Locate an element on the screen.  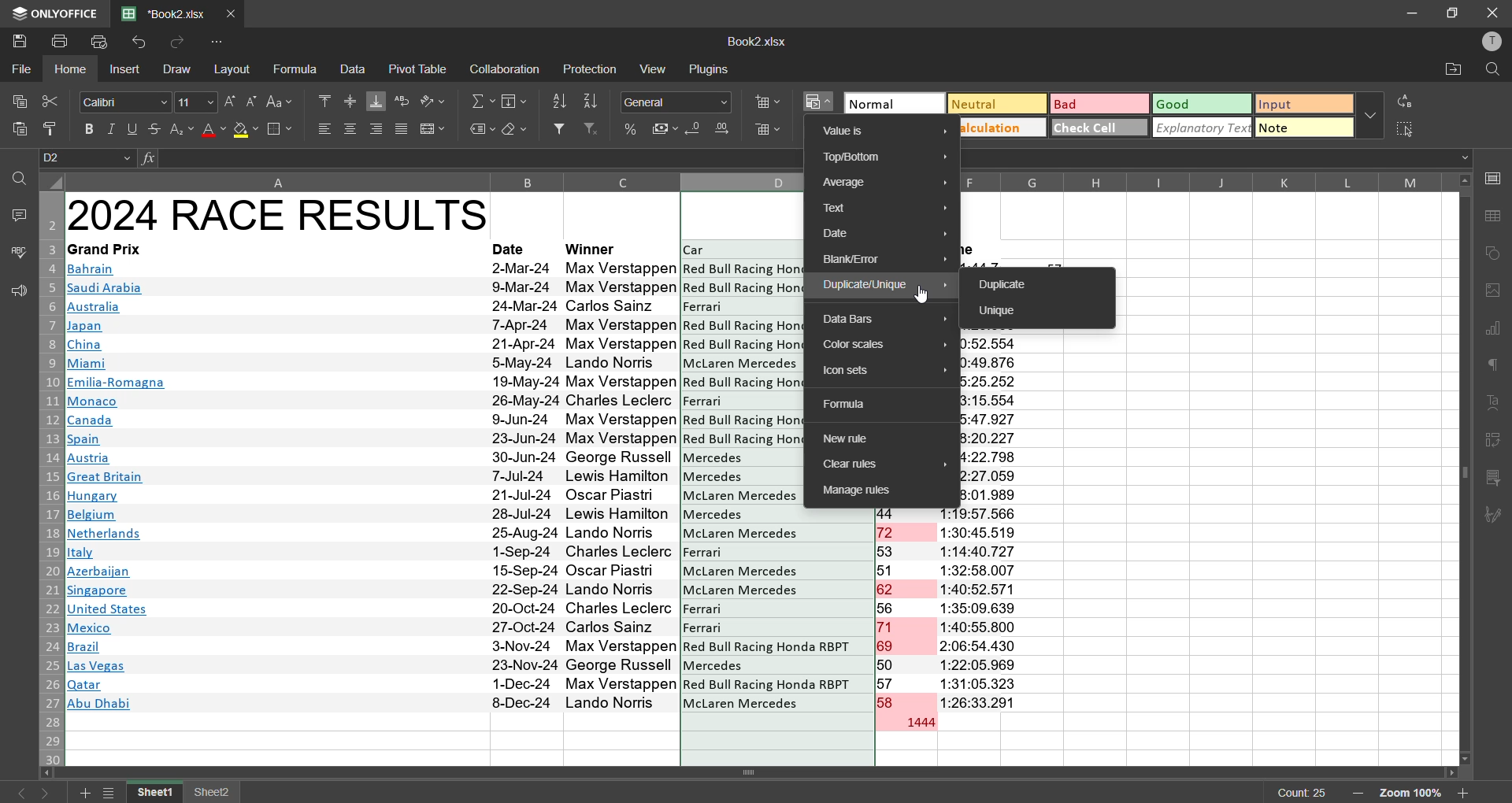
bold is located at coordinates (91, 129).